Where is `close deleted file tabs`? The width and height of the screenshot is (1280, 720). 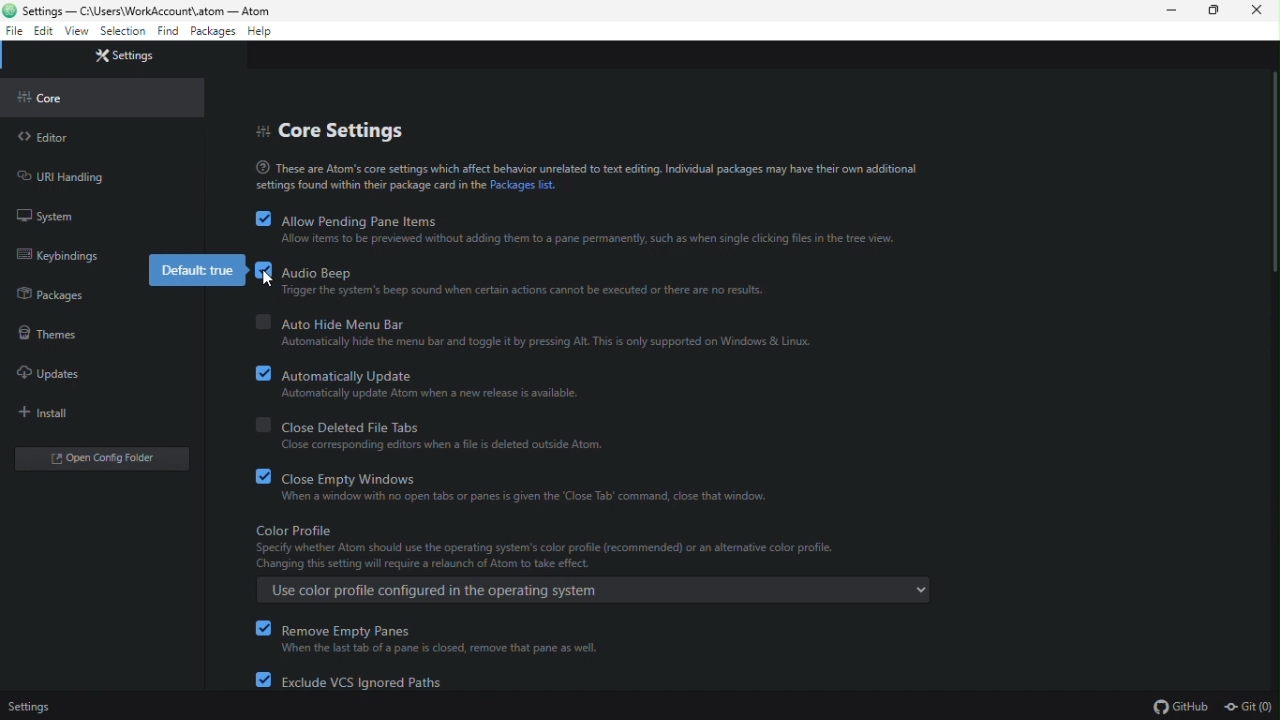 close deleted file tabs is located at coordinates (432, 426).